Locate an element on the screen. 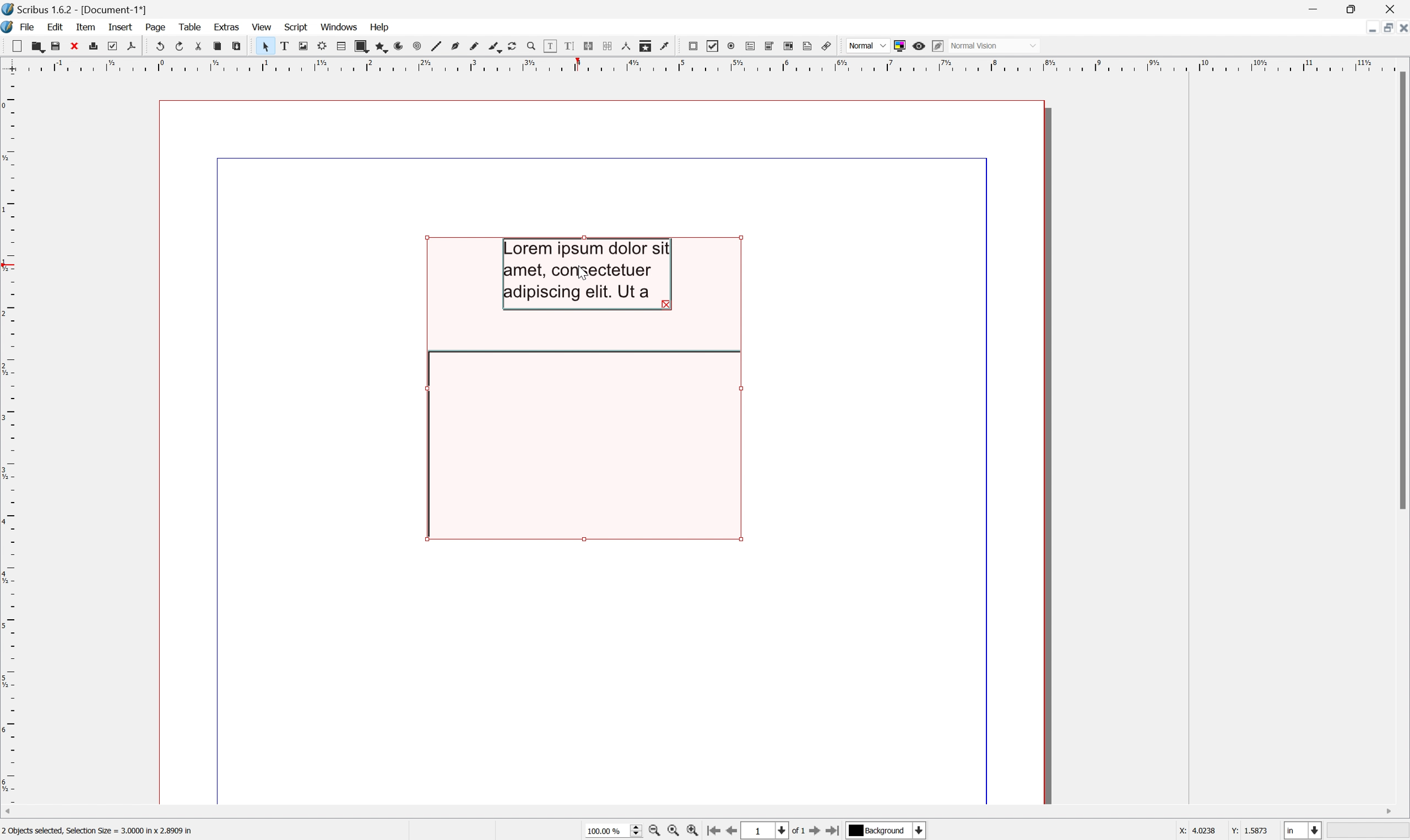 The image size is (1410, 840). Table is located at coordinates (341, 45).